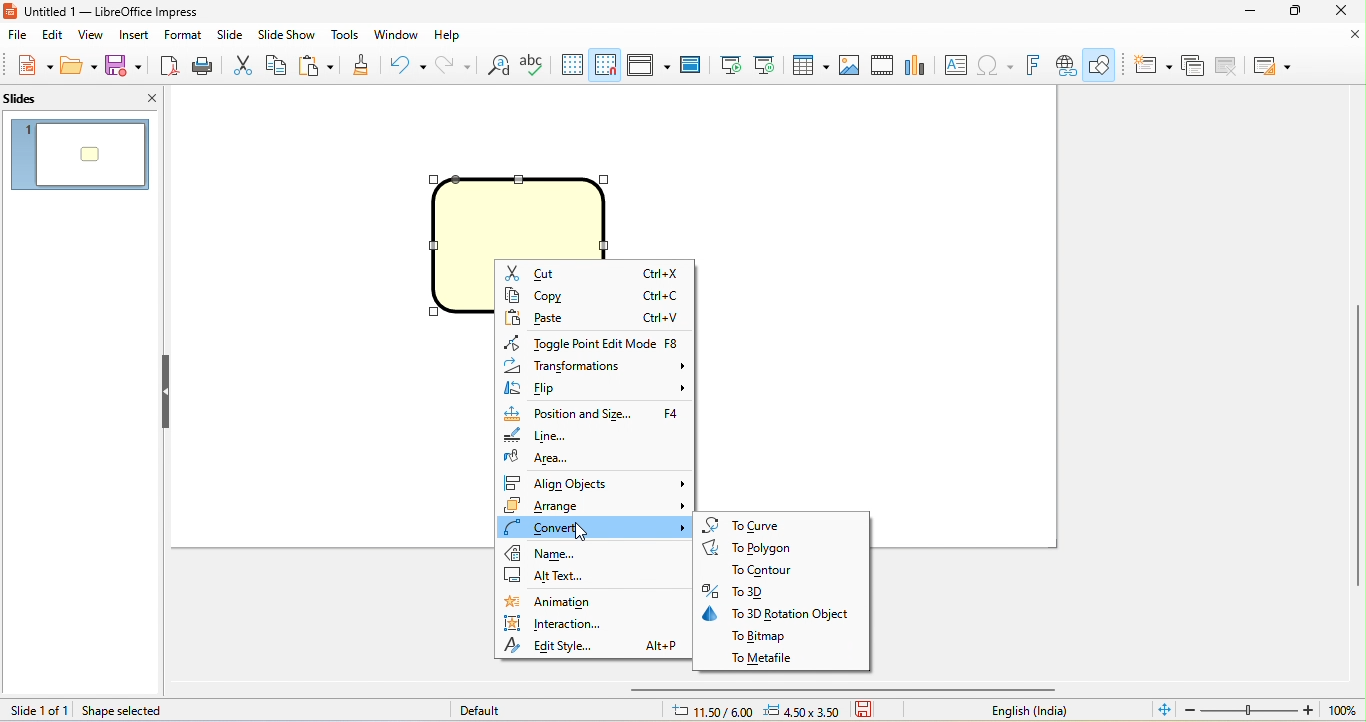 The width and height of the screenshot is (1366, 722). What do you see at coordinates (9, 11) in the screenshot?
I see `libreoffice impress logo` at bounding box center [9, 11].